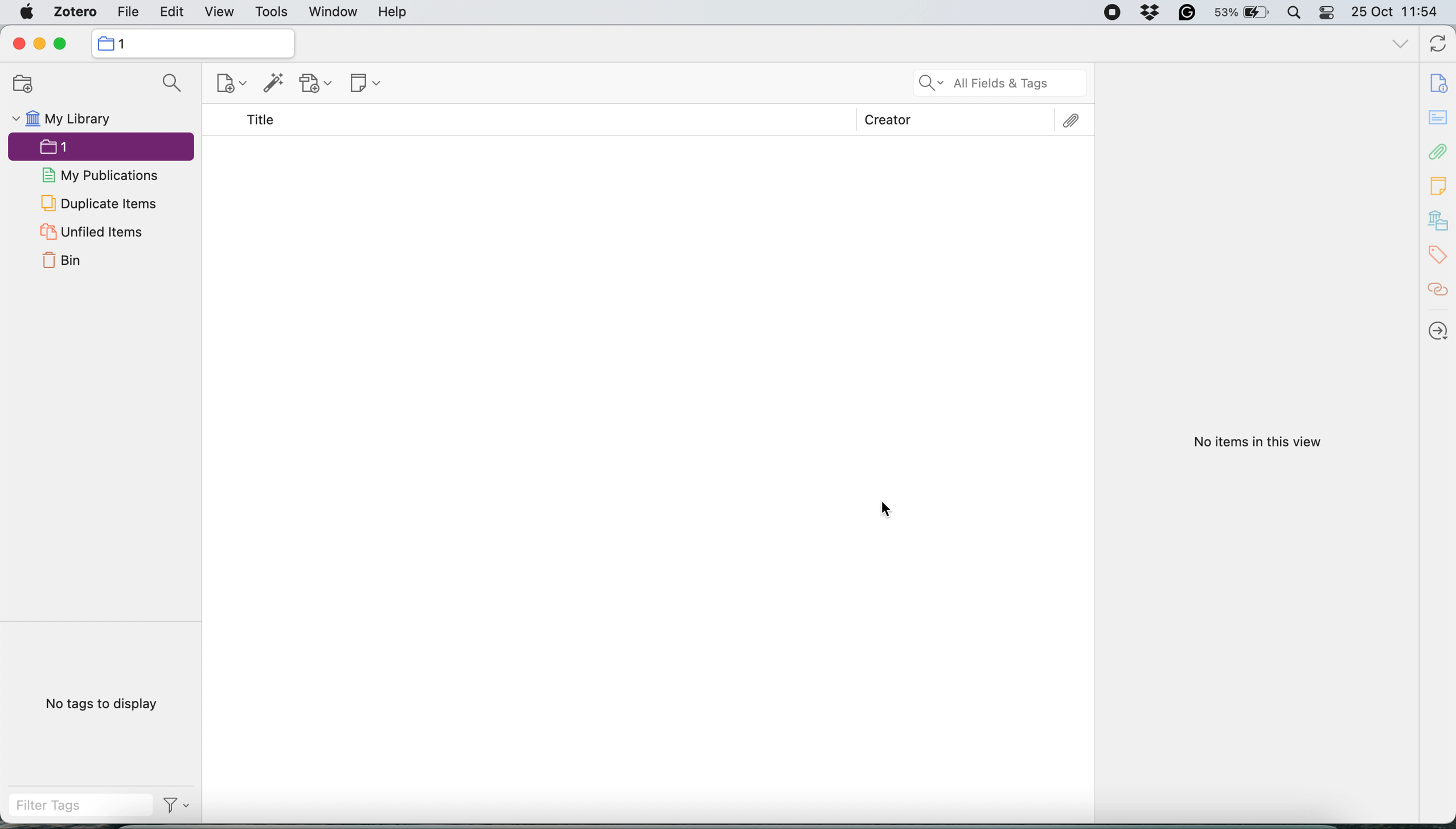  What do you see at coordinates (99, 198) in the screenshot?
I see `duplicate items` at bounding box center [99, 198].